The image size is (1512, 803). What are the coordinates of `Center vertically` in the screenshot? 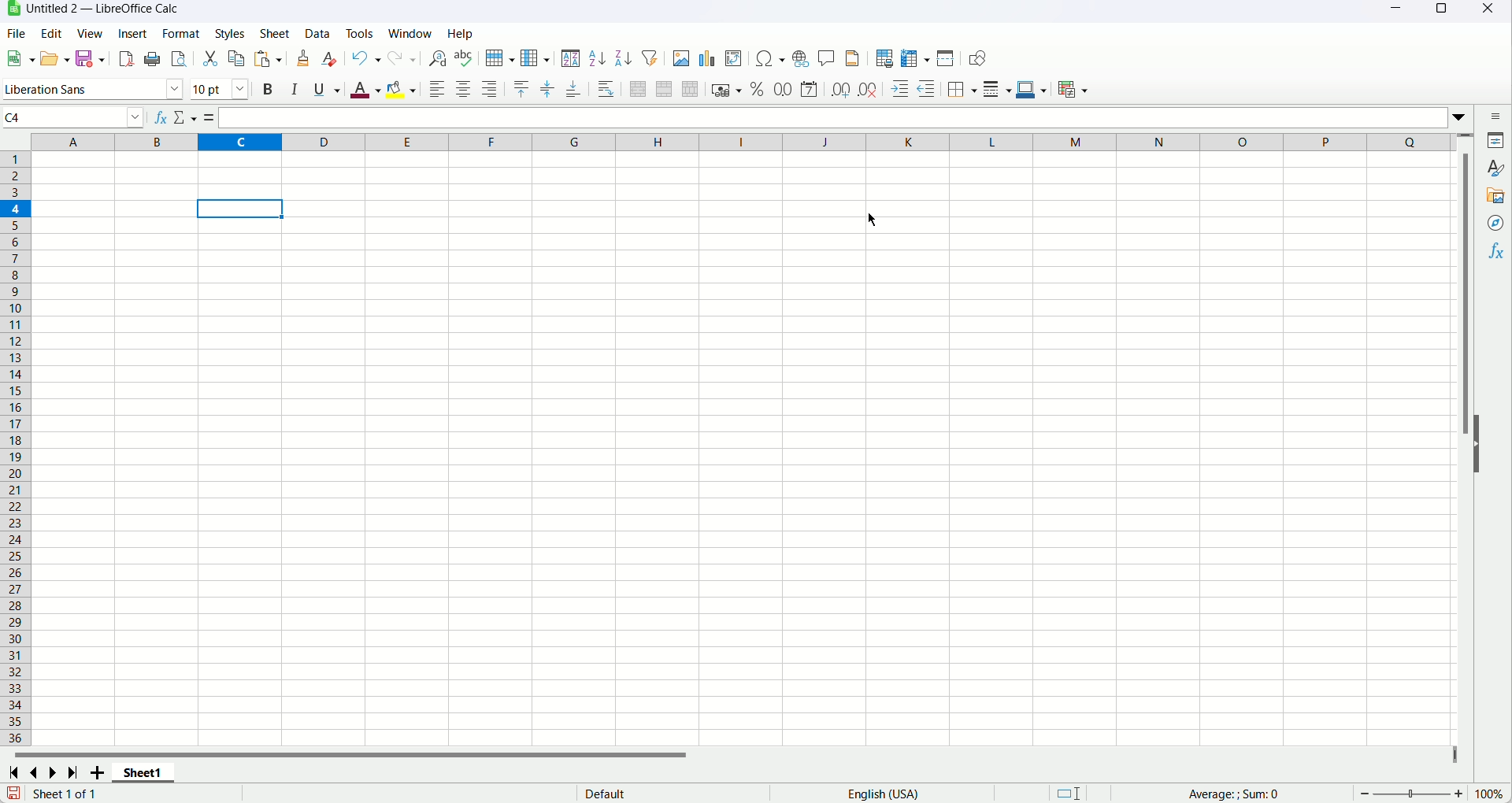 It's located at (548, 89).